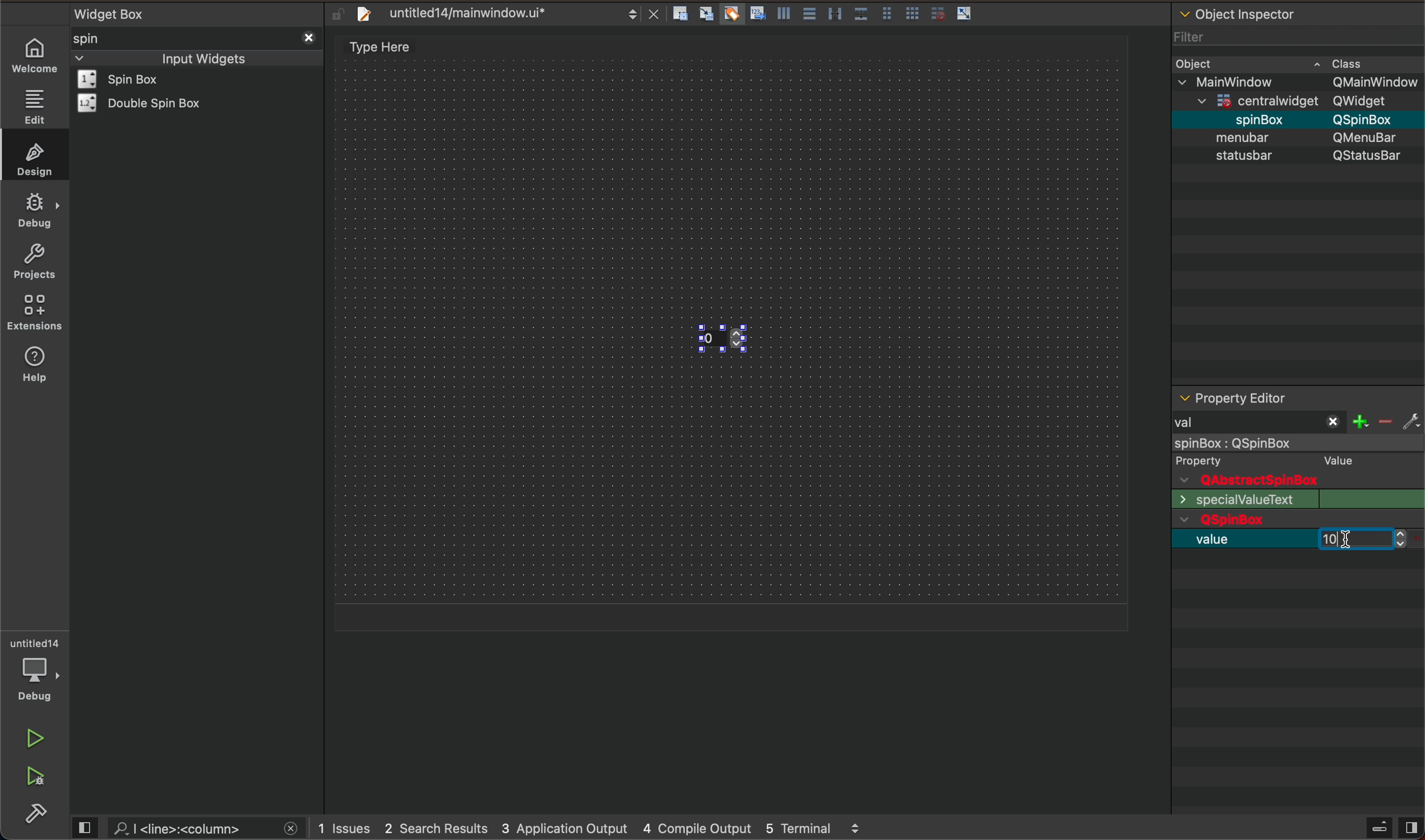 This screenshot has height=840, width=1425. Describe the element at coordinates (827, 11) in the screenshot. I see `layout action` at that location.